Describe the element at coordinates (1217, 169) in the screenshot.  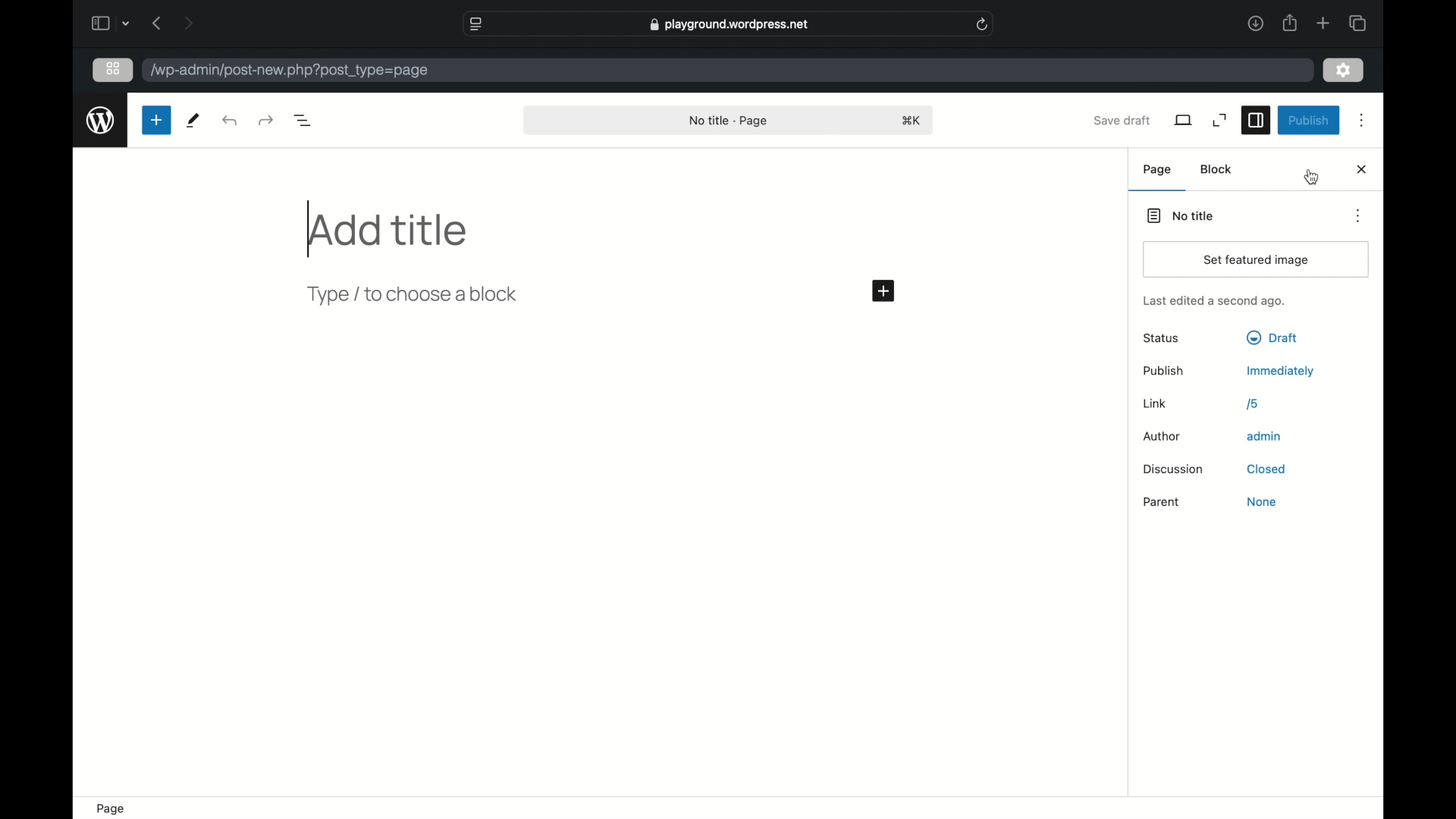
I see `block` at that location.